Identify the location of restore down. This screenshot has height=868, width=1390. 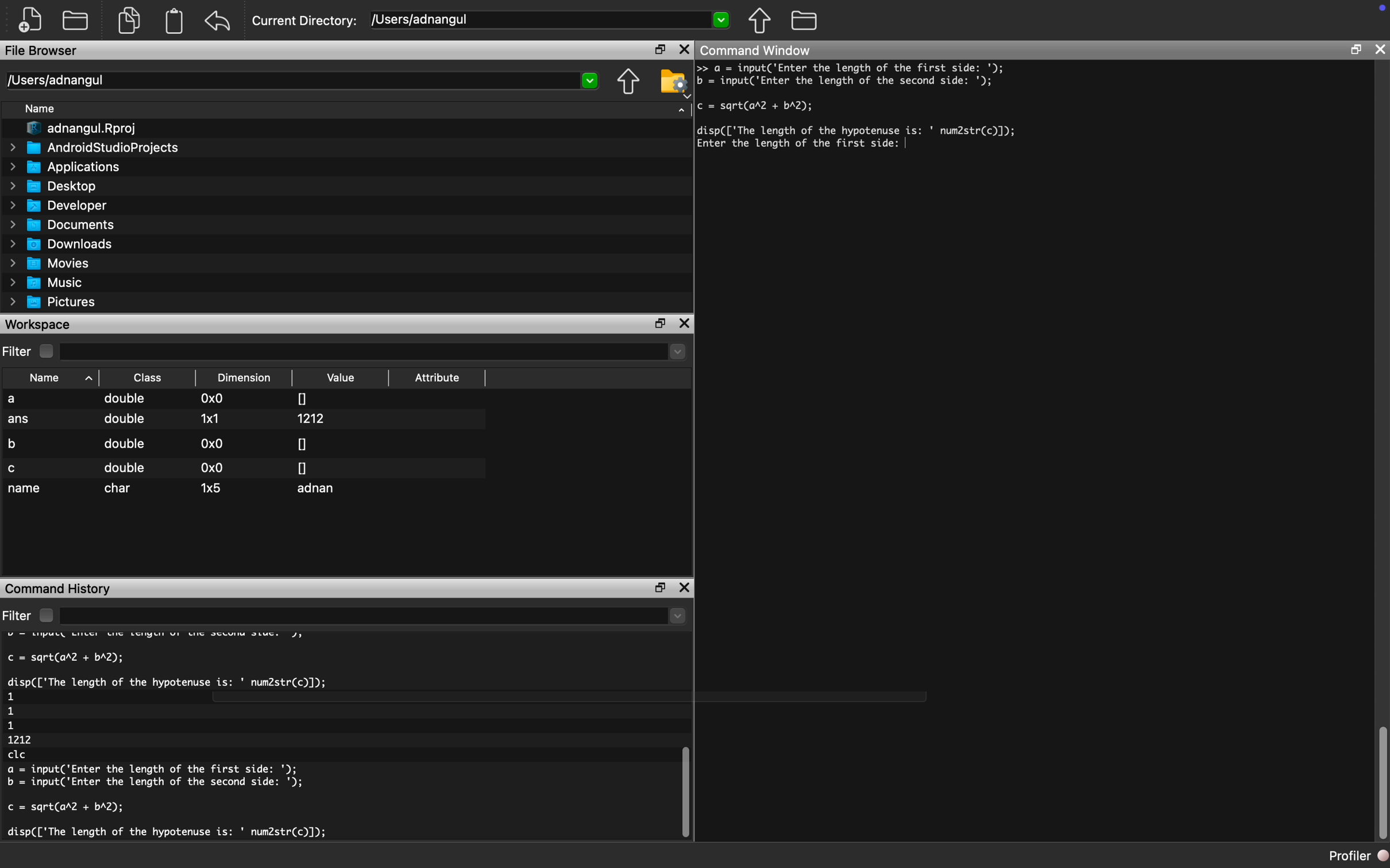
(1355, 52).